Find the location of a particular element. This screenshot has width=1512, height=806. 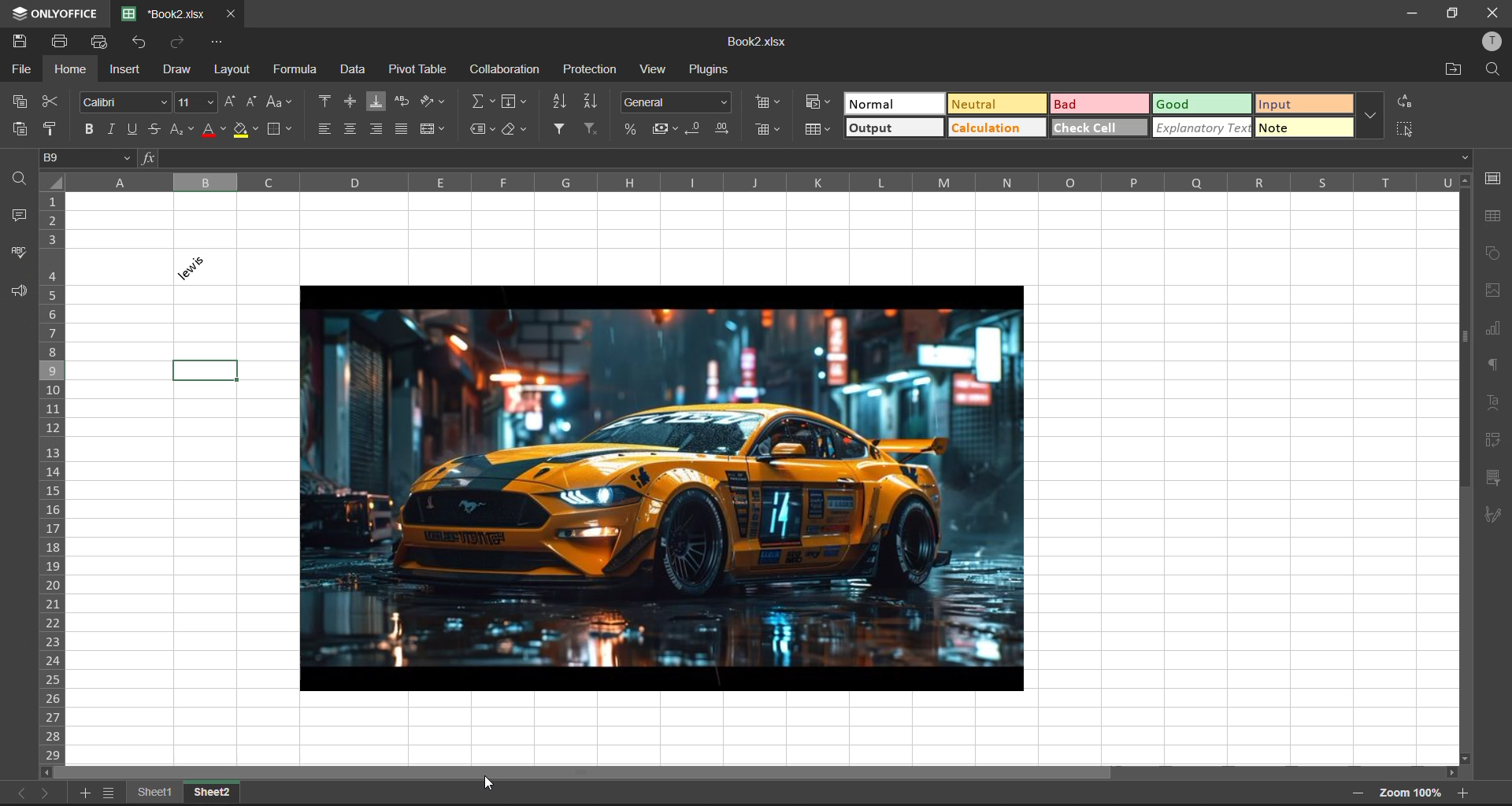

justified is located at coordinates (400, 130).